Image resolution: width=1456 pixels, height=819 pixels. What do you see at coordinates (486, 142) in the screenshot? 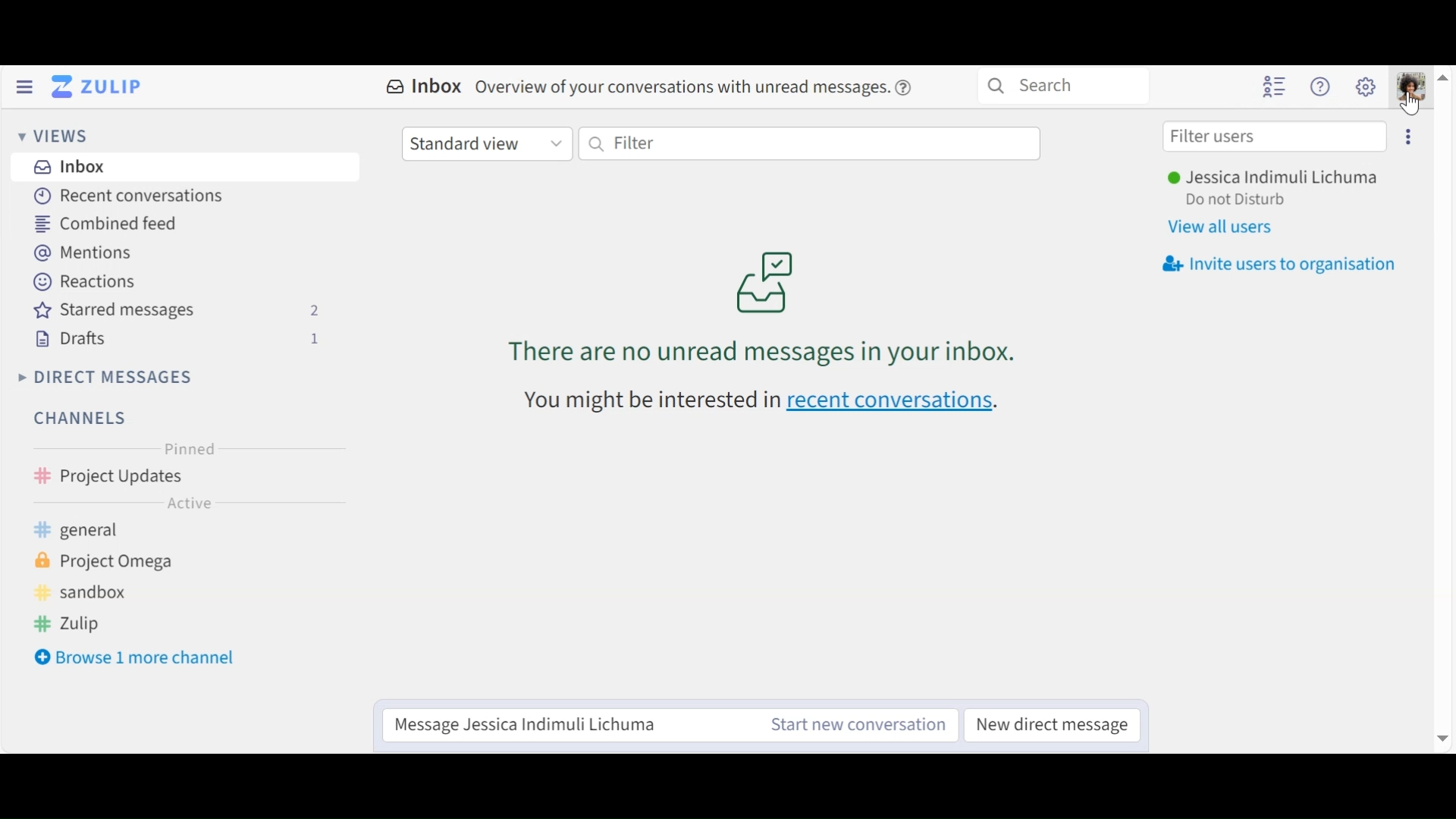
I see `Standard View` at bounding box center [486, 142].